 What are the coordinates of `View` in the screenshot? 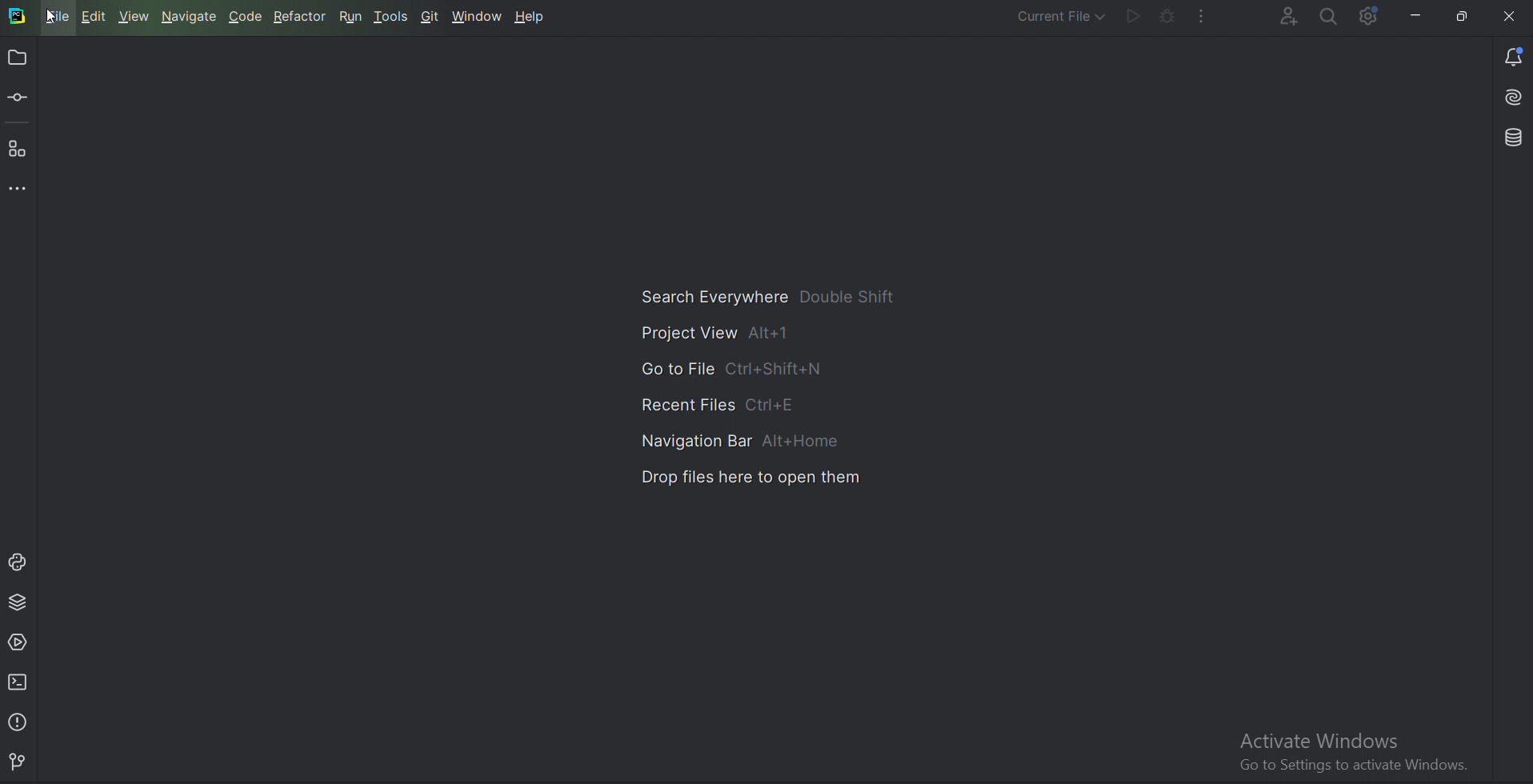 It's located at (134, 17).